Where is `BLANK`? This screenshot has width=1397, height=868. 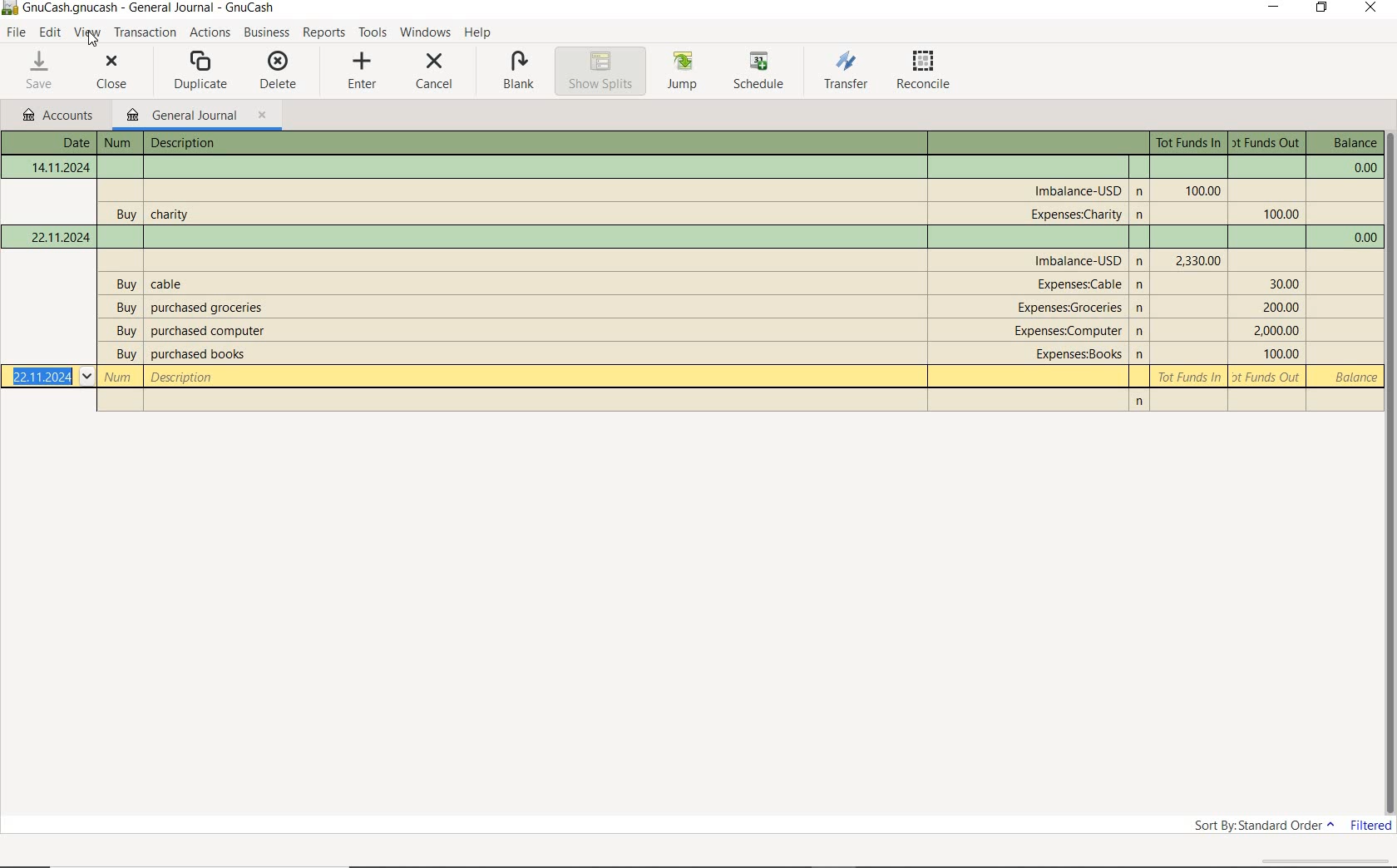 BLANK is located at coordinates (519, 72).